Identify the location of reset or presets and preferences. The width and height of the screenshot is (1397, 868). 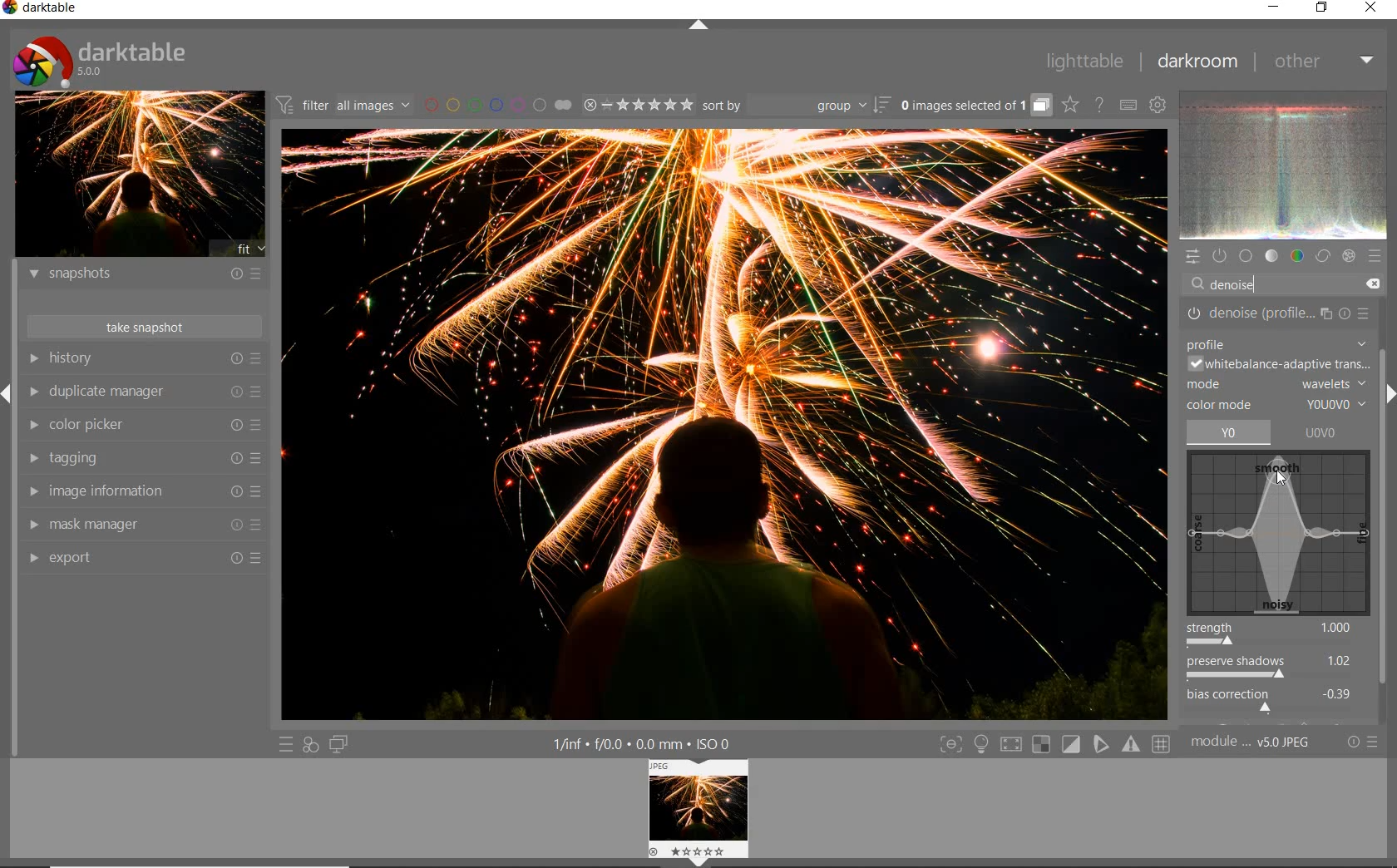
(1365, 743).